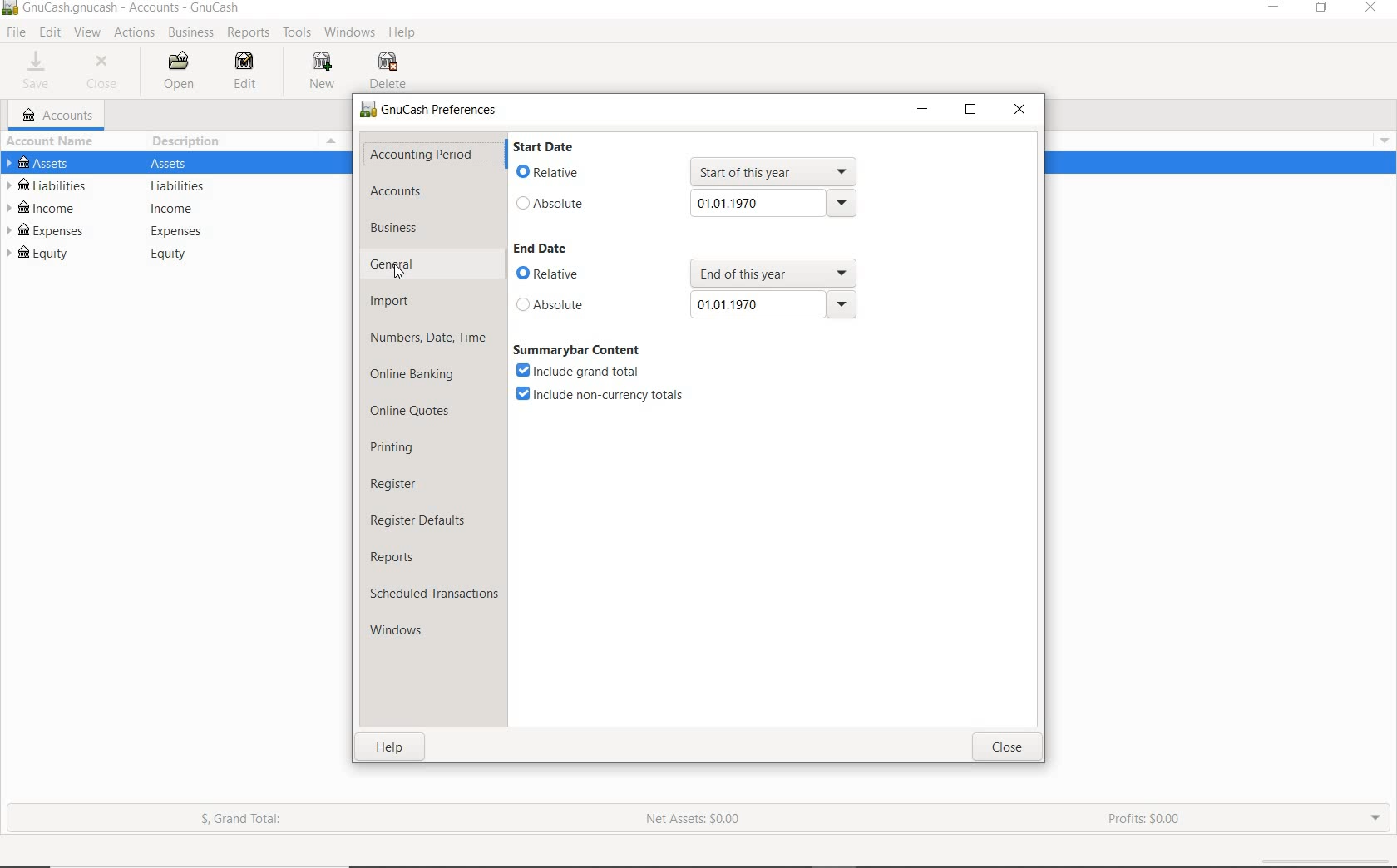 Image resolution: width=1397 pixels, height=868 pixels. Describe the element at coordinates (1376, 820) in the screenshot. I see `EXPAND` at that location.